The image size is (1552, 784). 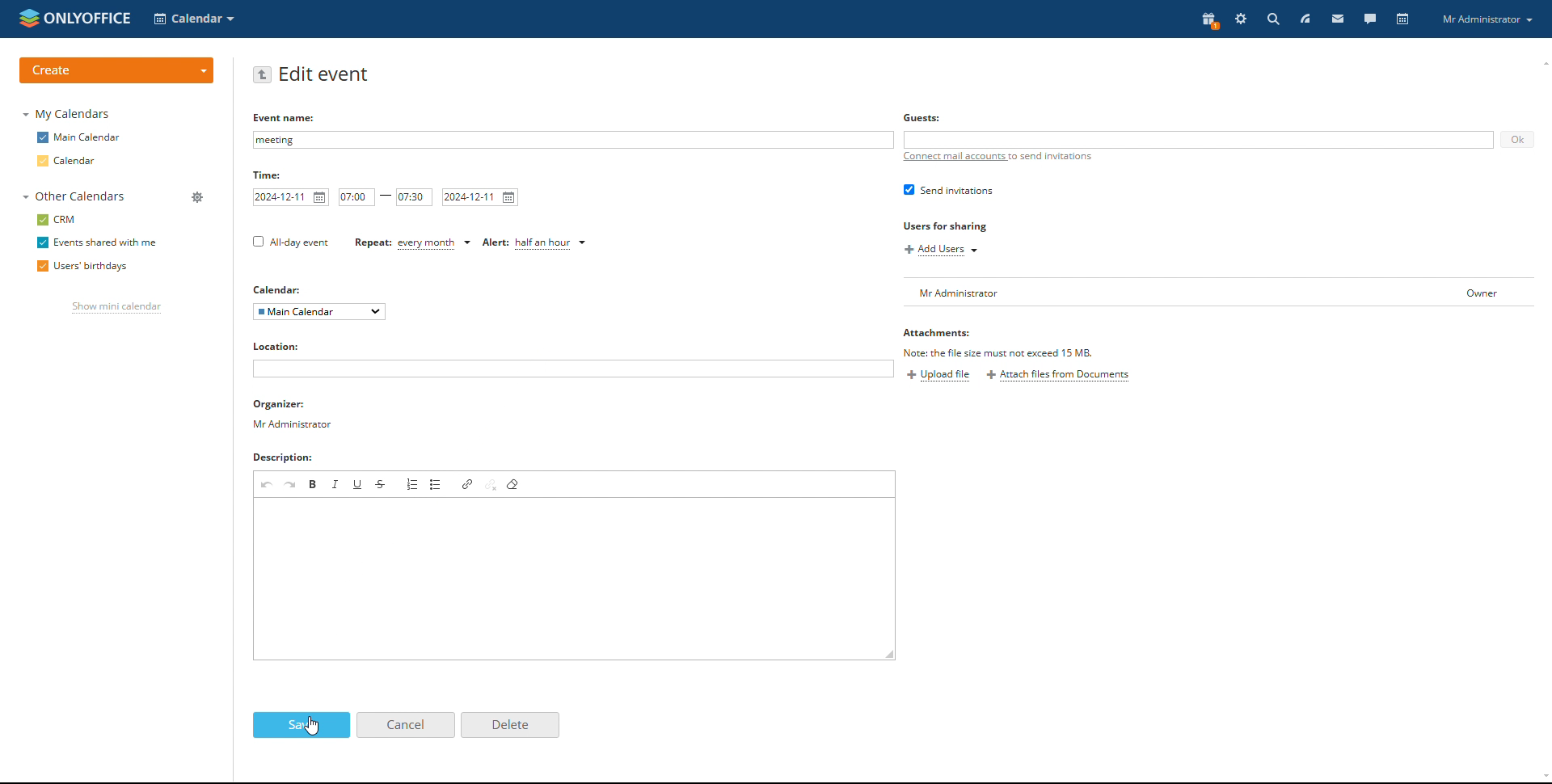 What do you see at coordinates (1159, 293) in the screenshot?
I see `user list` at bounding box center [1159, 293].